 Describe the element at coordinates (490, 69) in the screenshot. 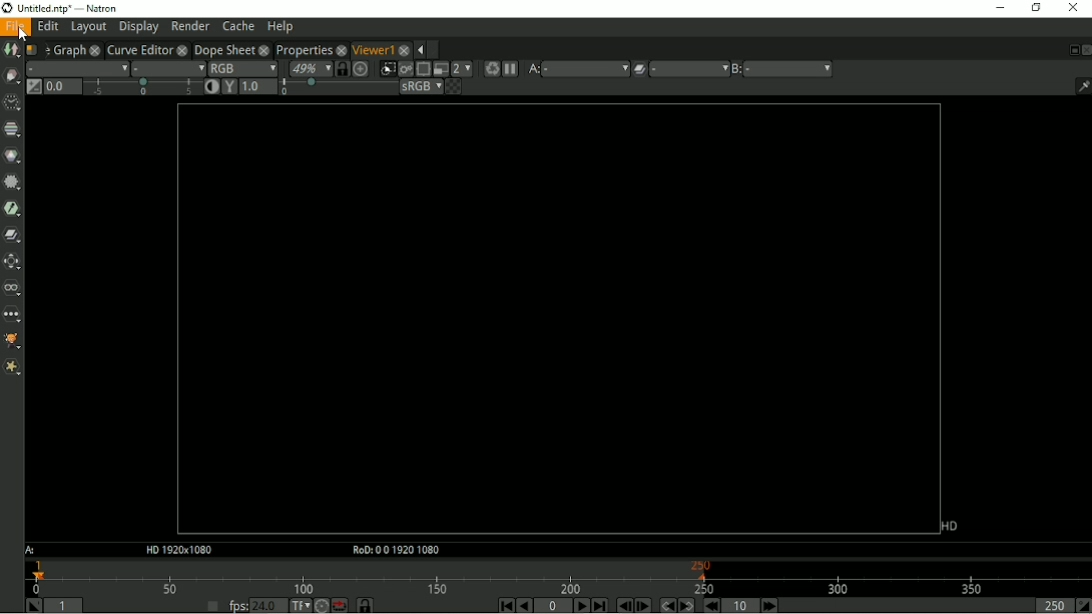

I see `Render` at that location.